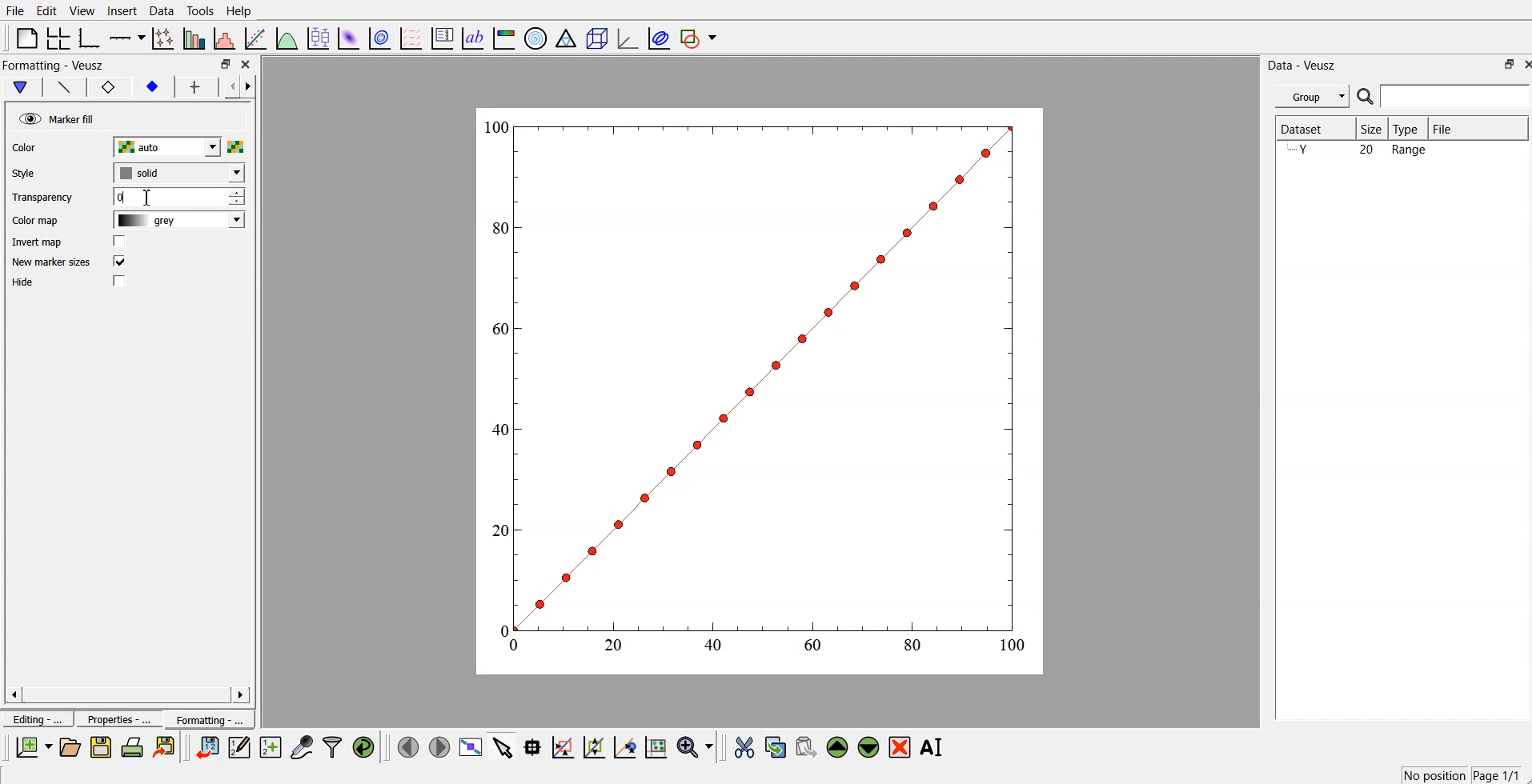 The height and width of the screenshot is (784, 1532). What do you see at coordinates (226, 64) in the screenshot?
I see `Min/Max` at bounding box center [226, 64].